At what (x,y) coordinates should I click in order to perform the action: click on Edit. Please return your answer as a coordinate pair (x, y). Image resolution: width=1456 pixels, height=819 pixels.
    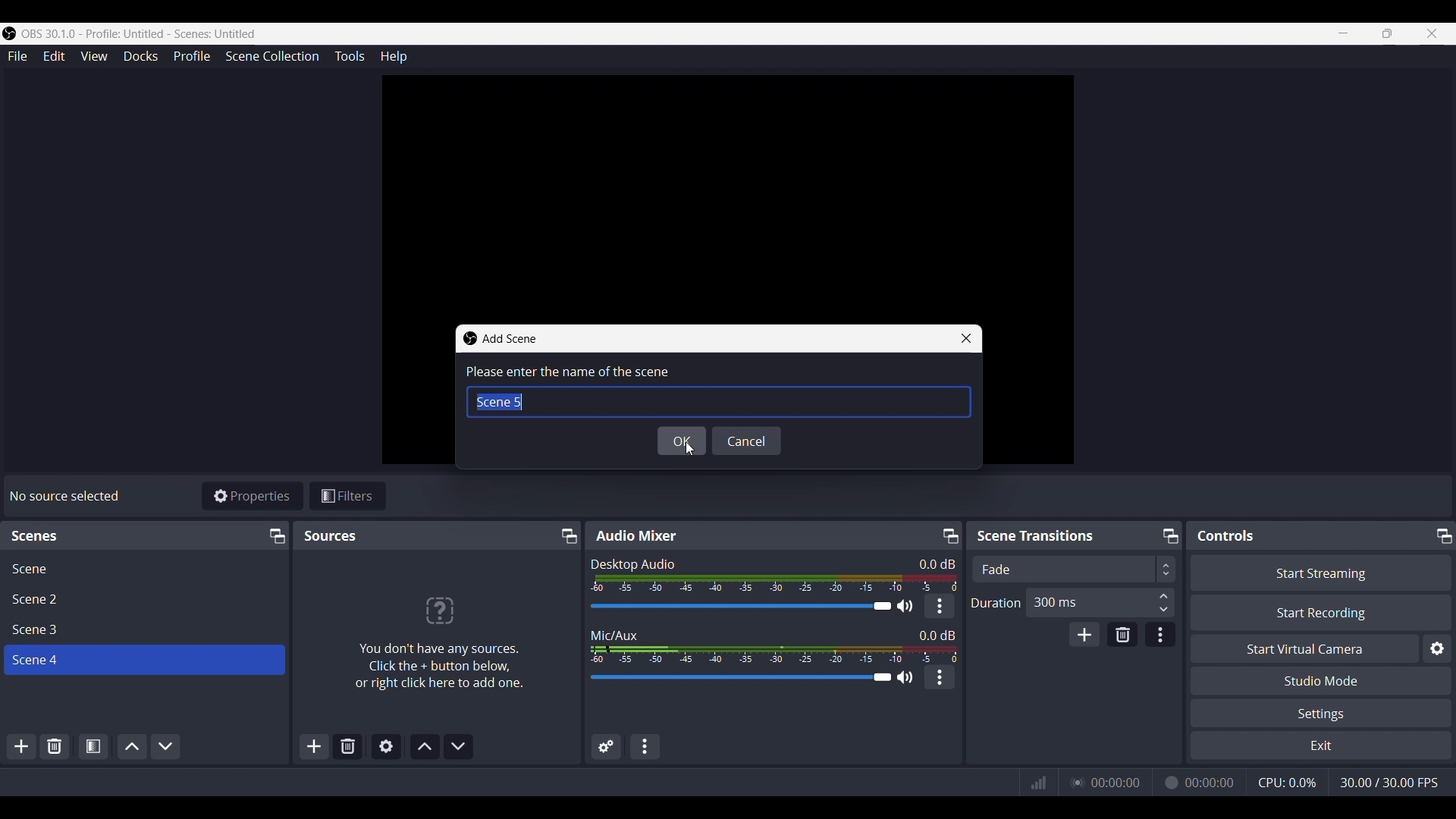
    Looking at the image, I should click on (54, 57).